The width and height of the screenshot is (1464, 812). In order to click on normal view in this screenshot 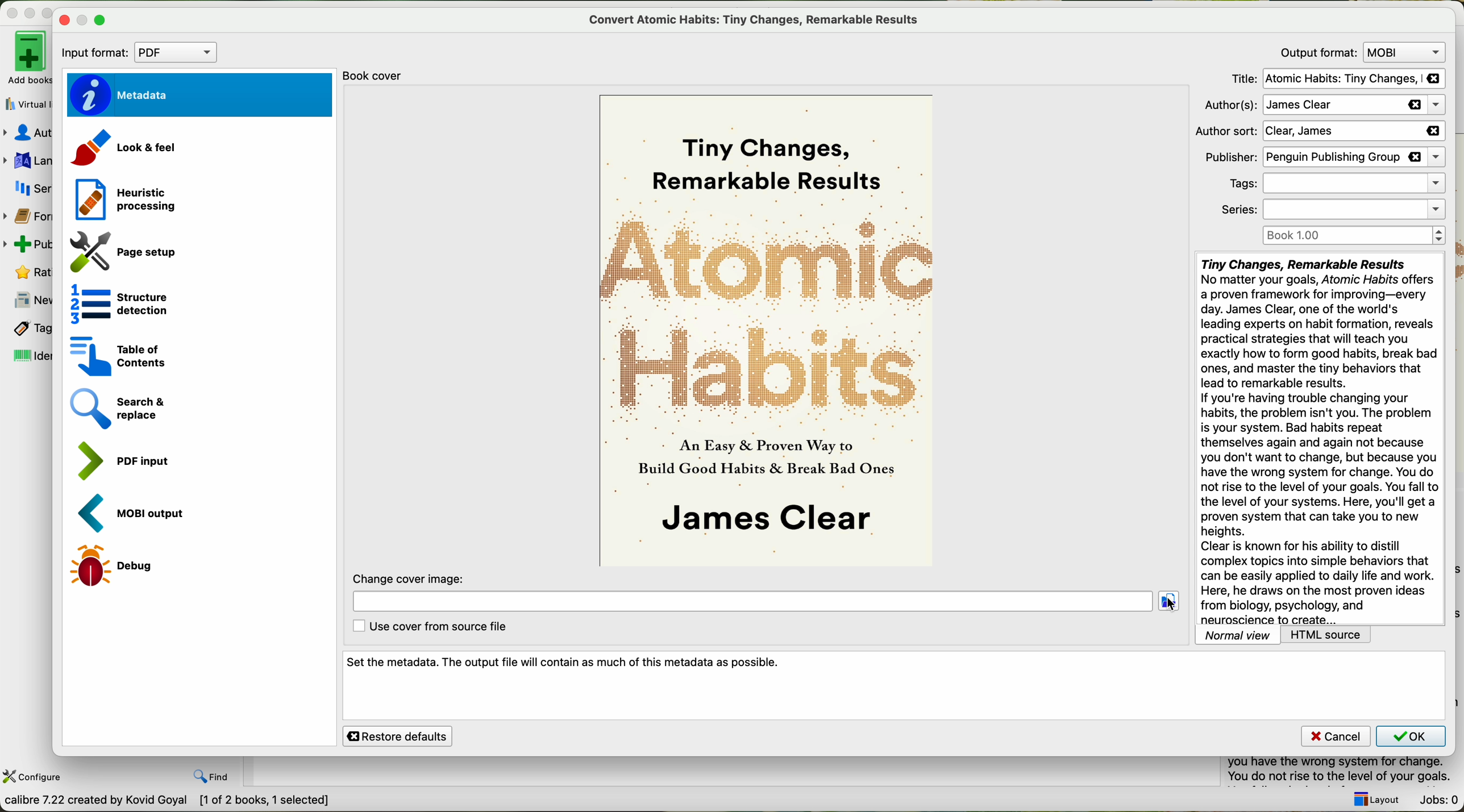, I will do `click(1238, 635)`.